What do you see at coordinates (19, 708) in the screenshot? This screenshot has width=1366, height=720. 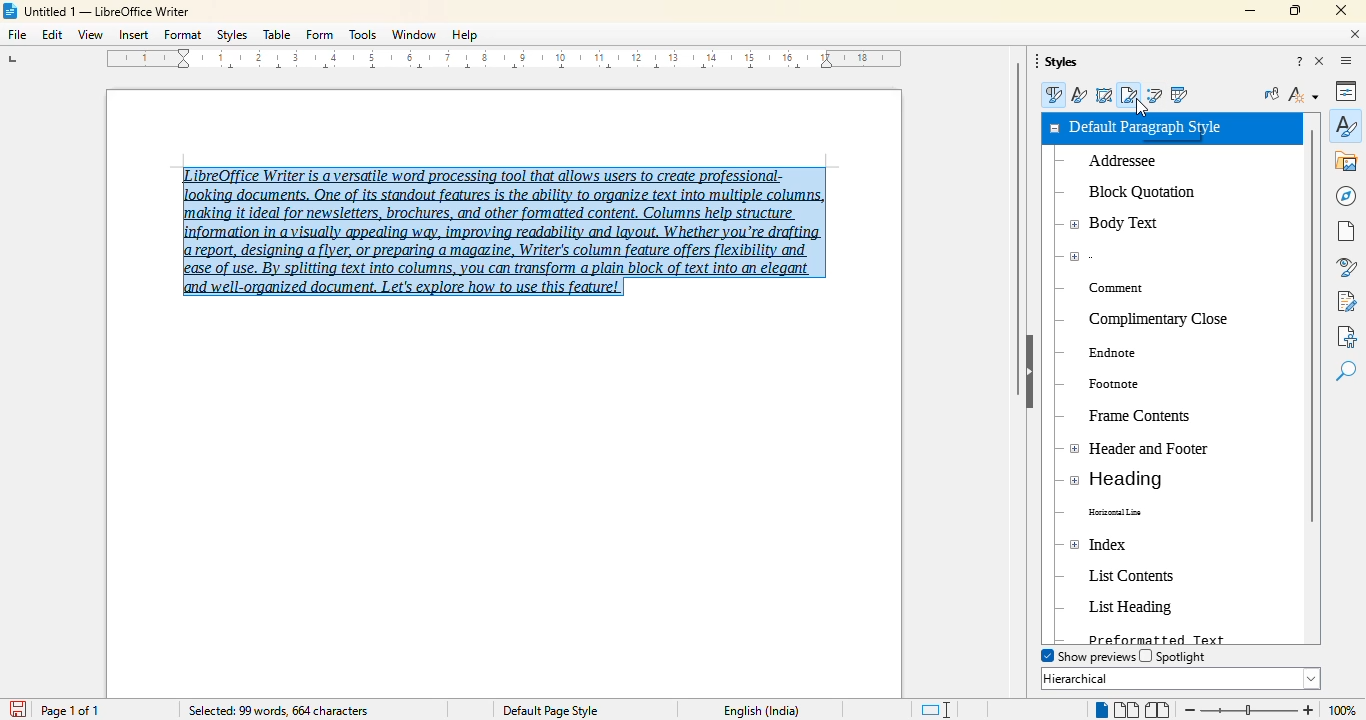 I see `save document` at bounding box center [19, 708].